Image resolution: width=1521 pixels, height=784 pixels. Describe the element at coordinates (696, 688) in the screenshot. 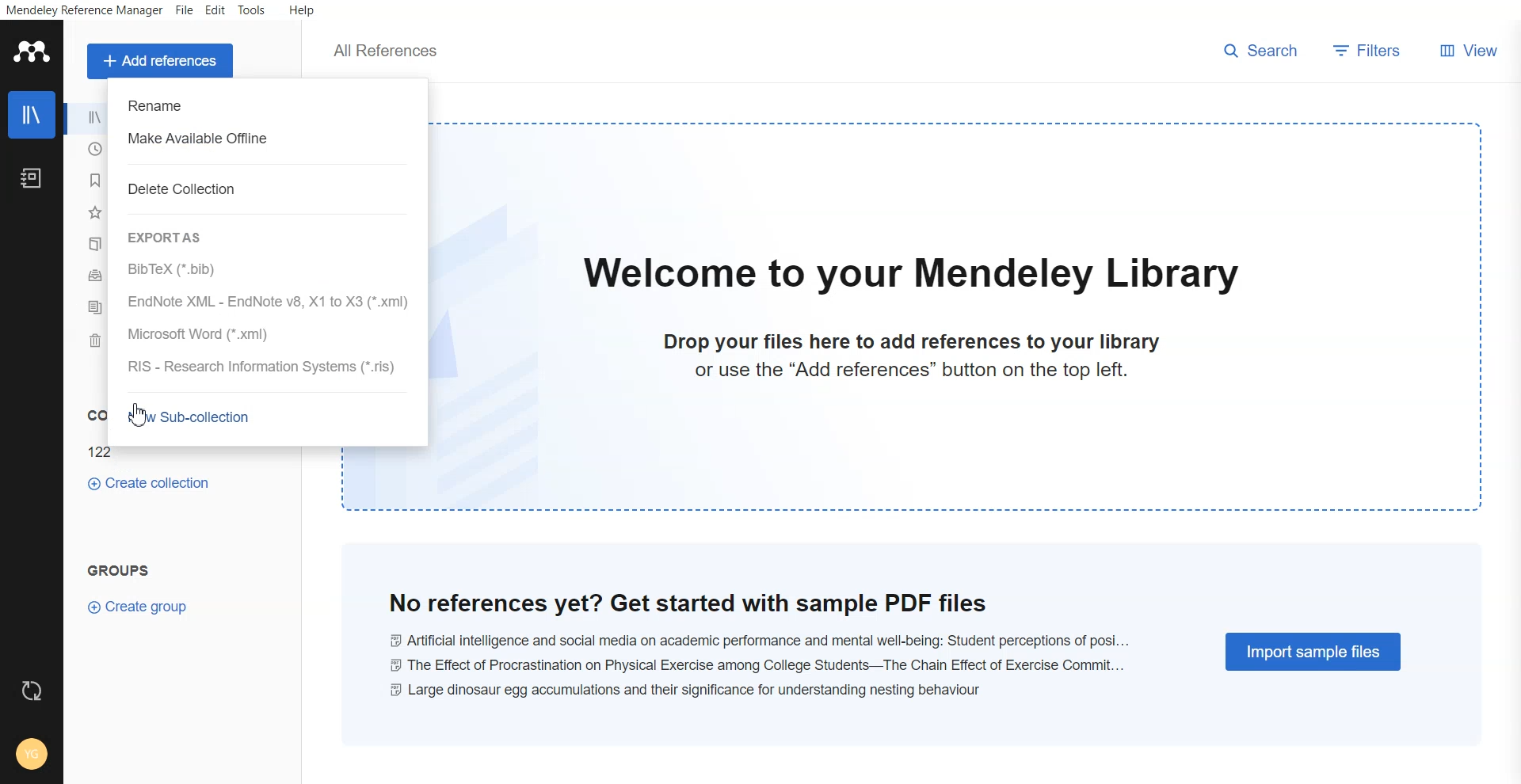

I see `large dinosaur egg accumulations and their significance for understanding nestling behaviour` at that location.